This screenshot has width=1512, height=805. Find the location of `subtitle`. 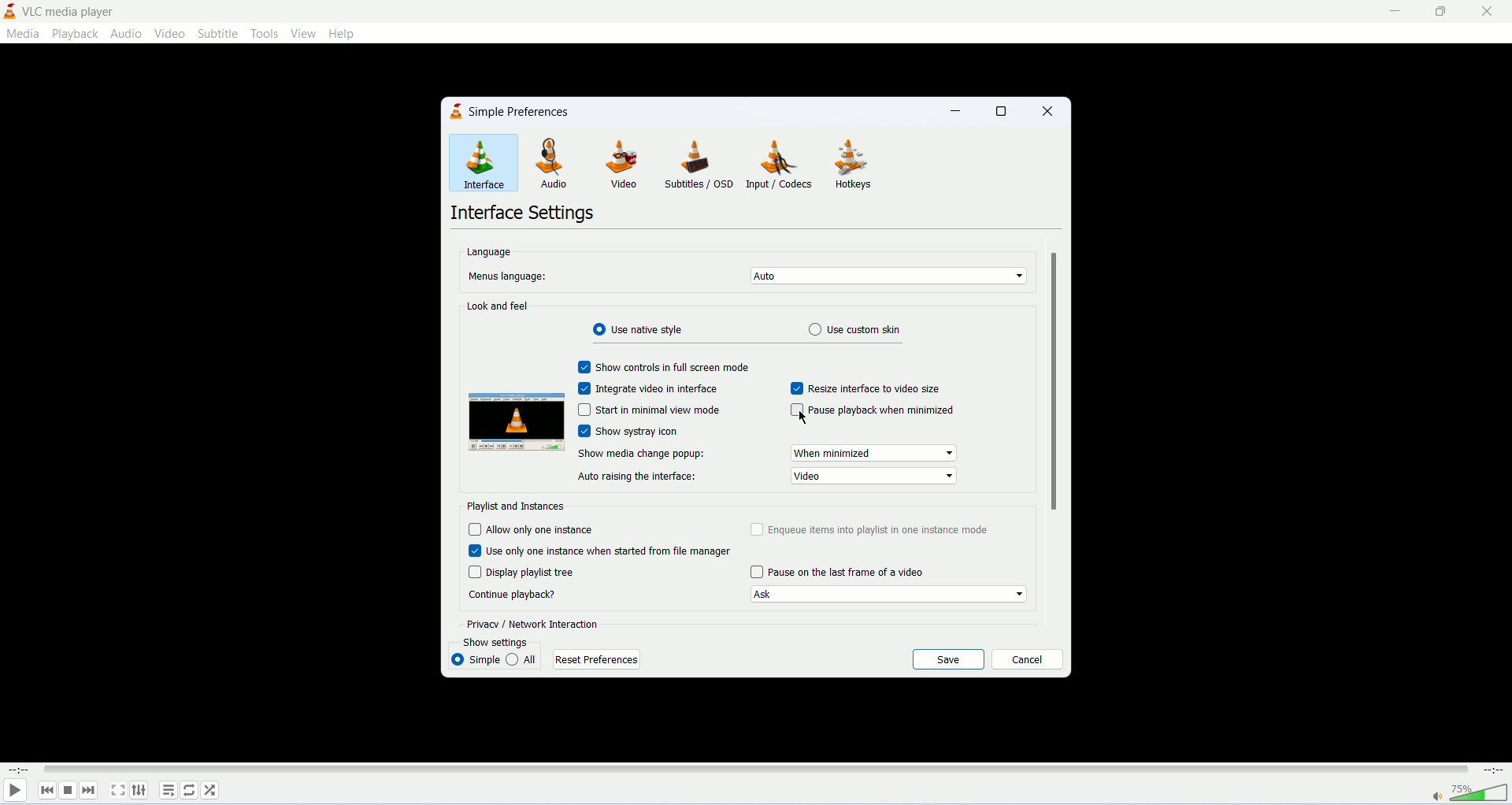

subtitle is located at coordinates (218, 32).